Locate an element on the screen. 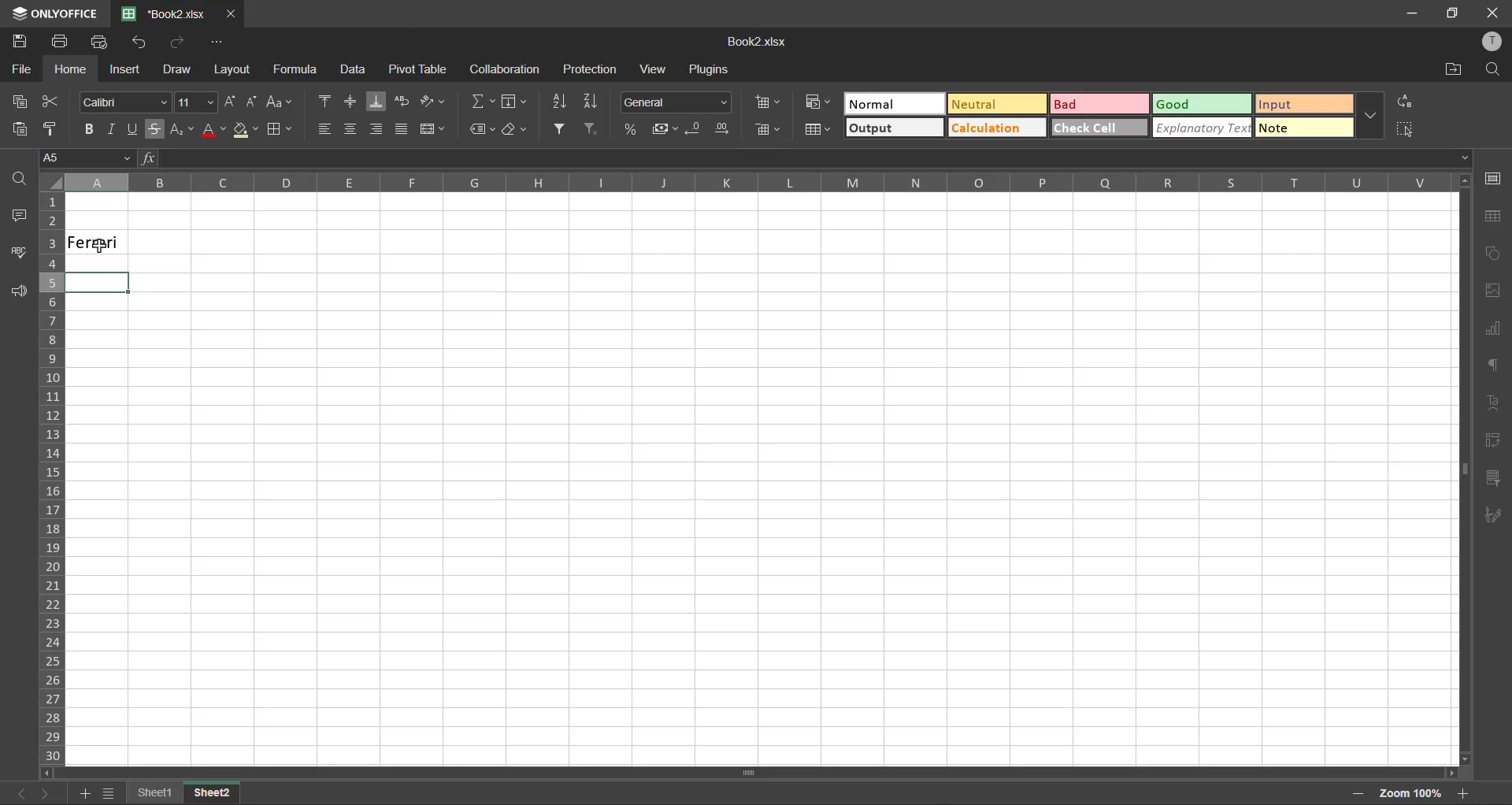 This screenshot has width=1512, height=805. fields is located at coordinates (517, 103).